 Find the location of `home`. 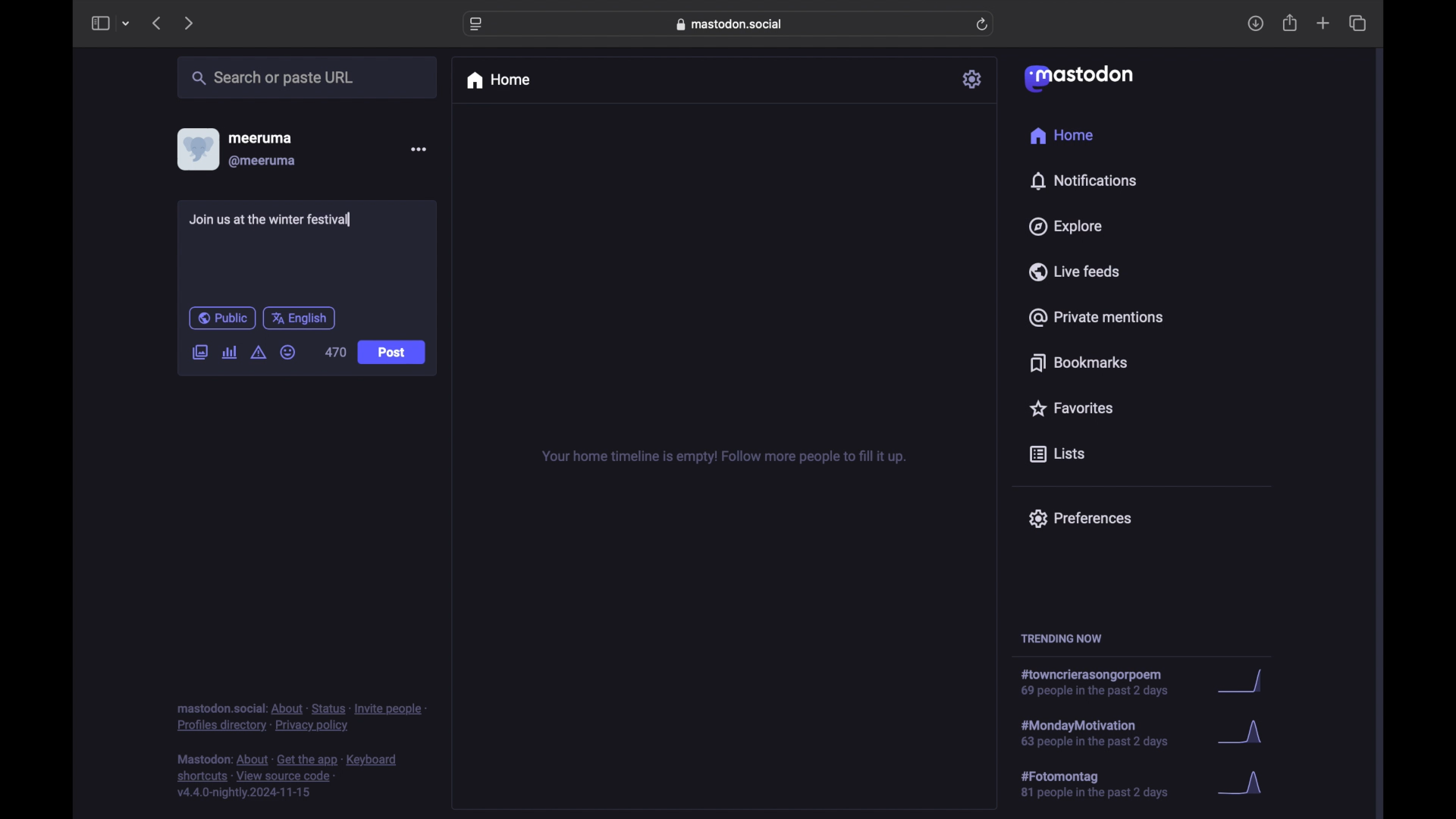

home is located at coordinates (497, 80).